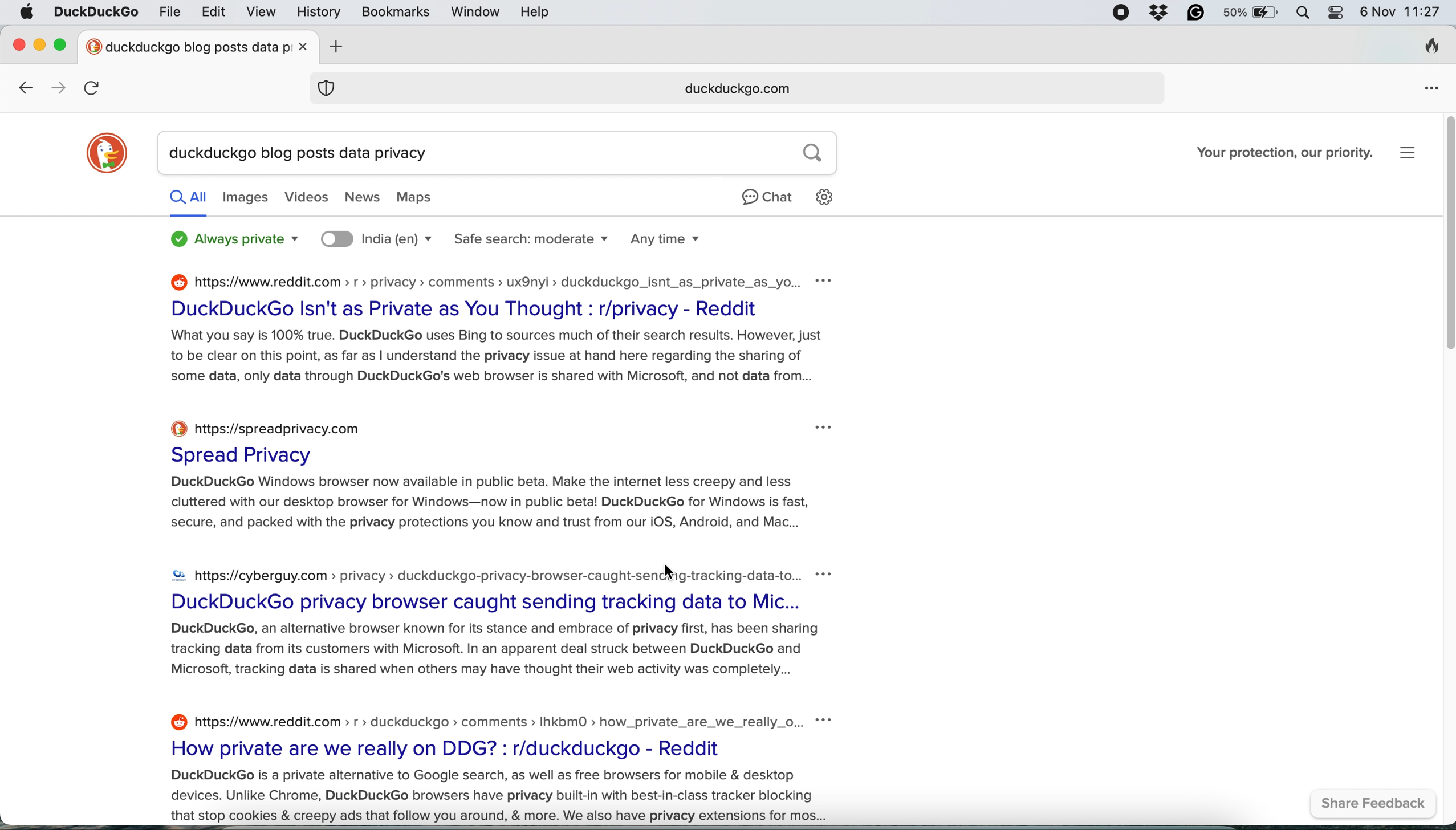 This screenshot has width=1456, height=830. What do you see at coordinates (670, 238) in the screenshot?
I see `search time` at bounding box center [670, 238].